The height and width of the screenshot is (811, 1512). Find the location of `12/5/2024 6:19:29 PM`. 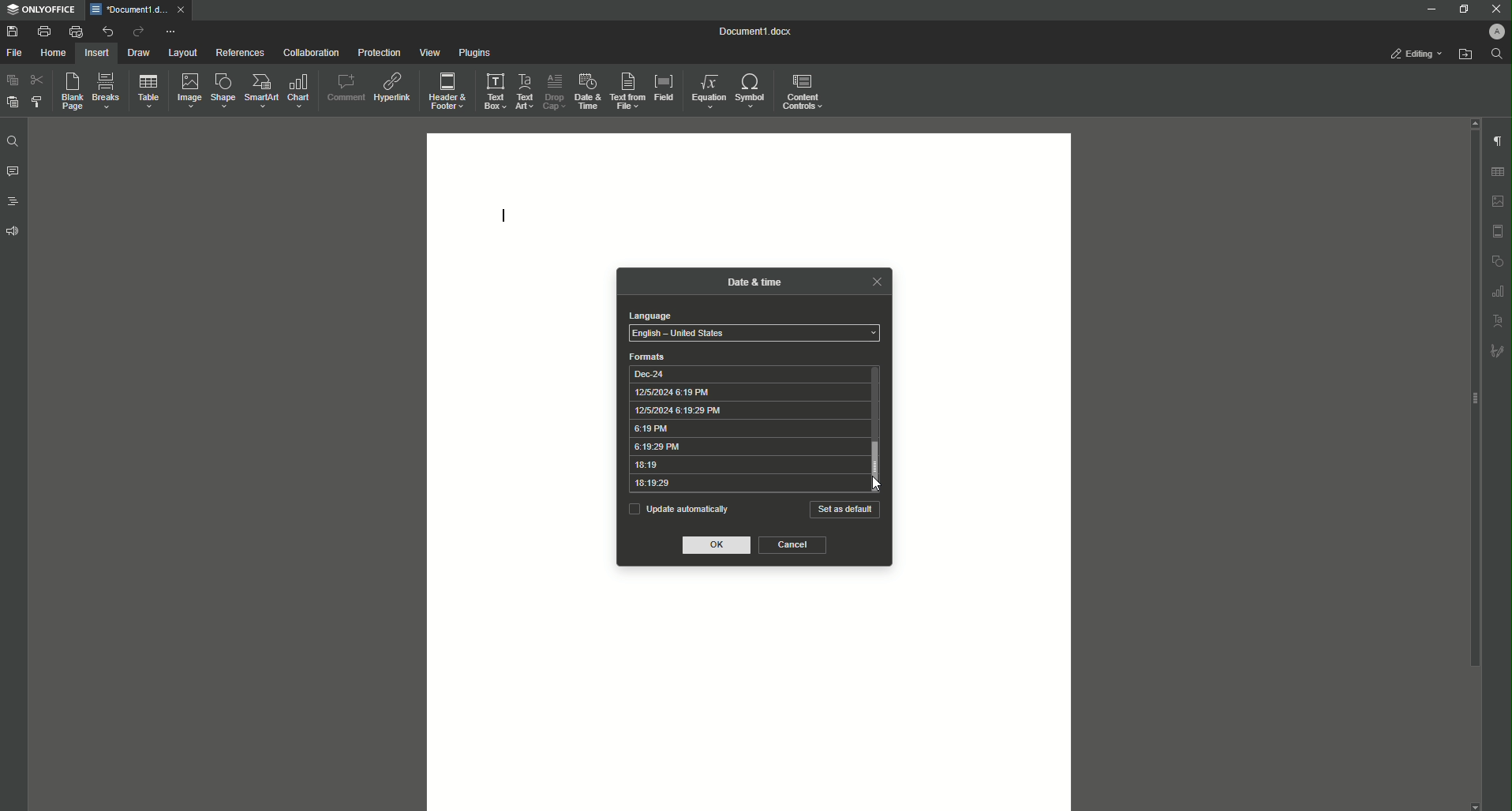

12/5/2024 6:19:29 PM is located at coordinates (747, 410).